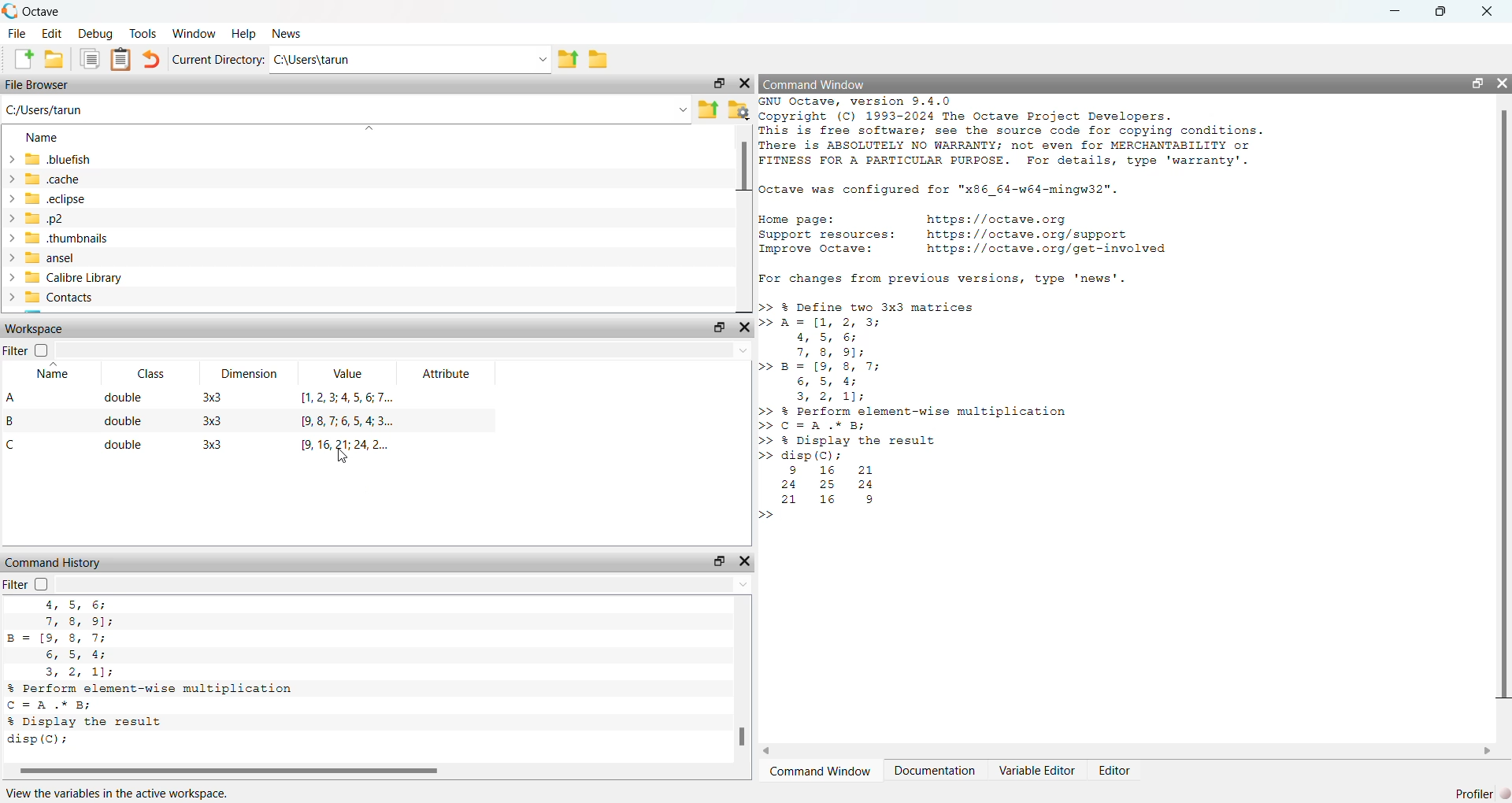  What do you see at coordinates (44, 180) in the screenshot?
I see `cache` at bounding box center [44, 180].